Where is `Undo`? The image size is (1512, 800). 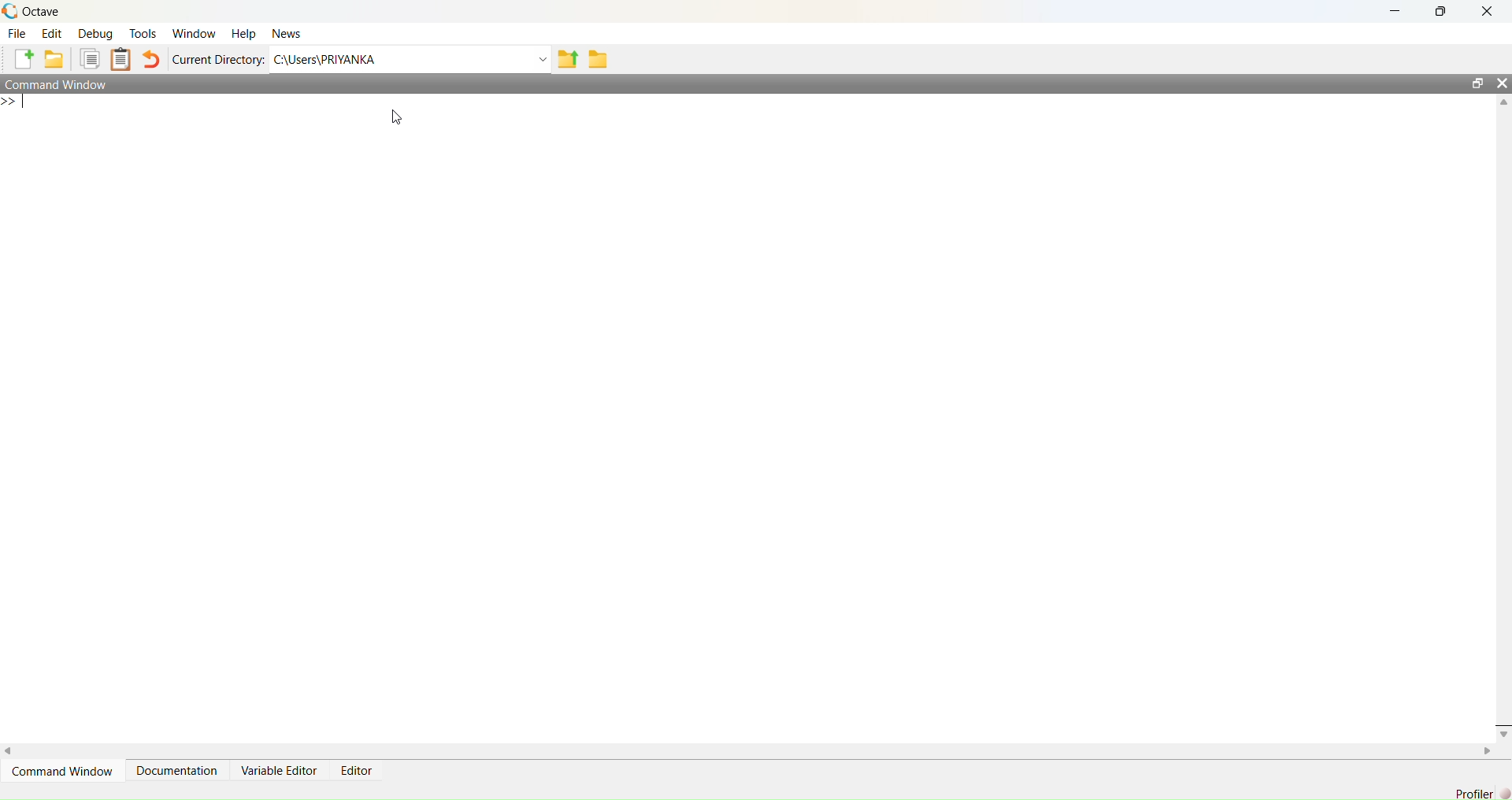 Undo is located at coordinates (154, 61).